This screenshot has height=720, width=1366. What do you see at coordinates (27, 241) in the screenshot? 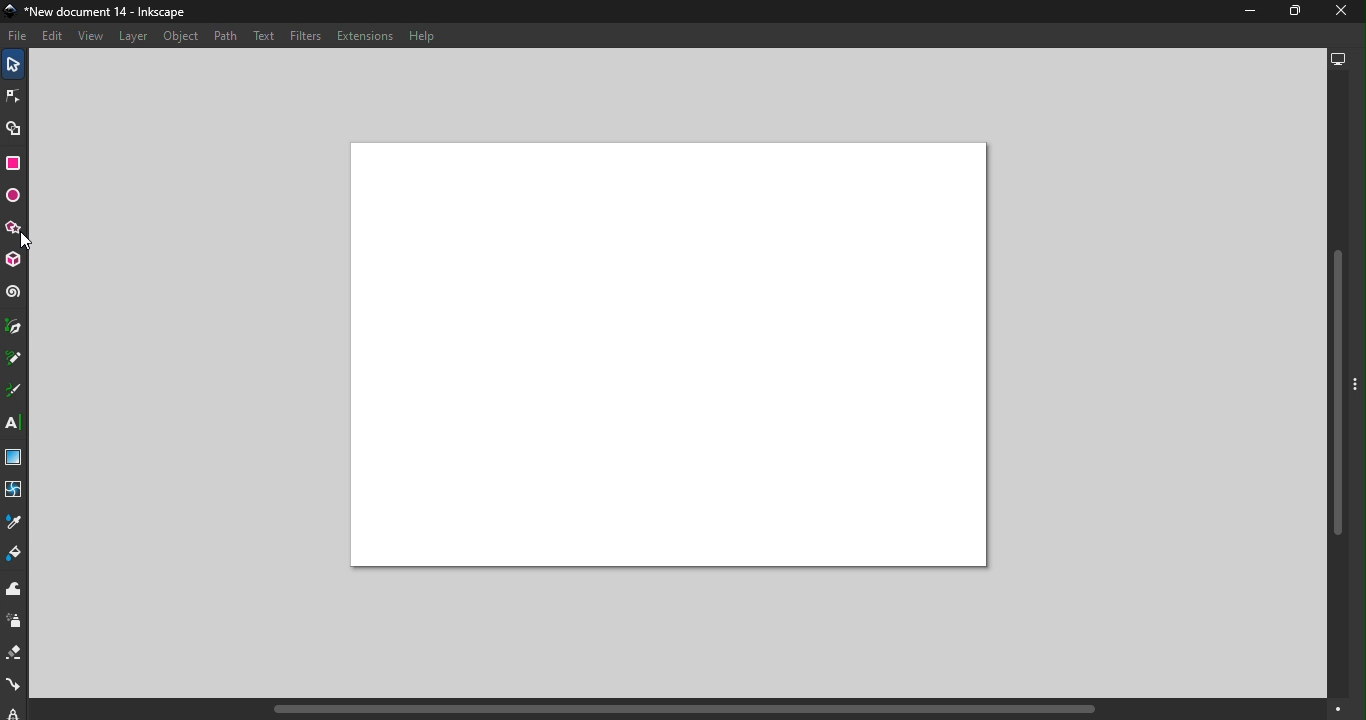
I see `cursor` at bounding box center [27, 241].